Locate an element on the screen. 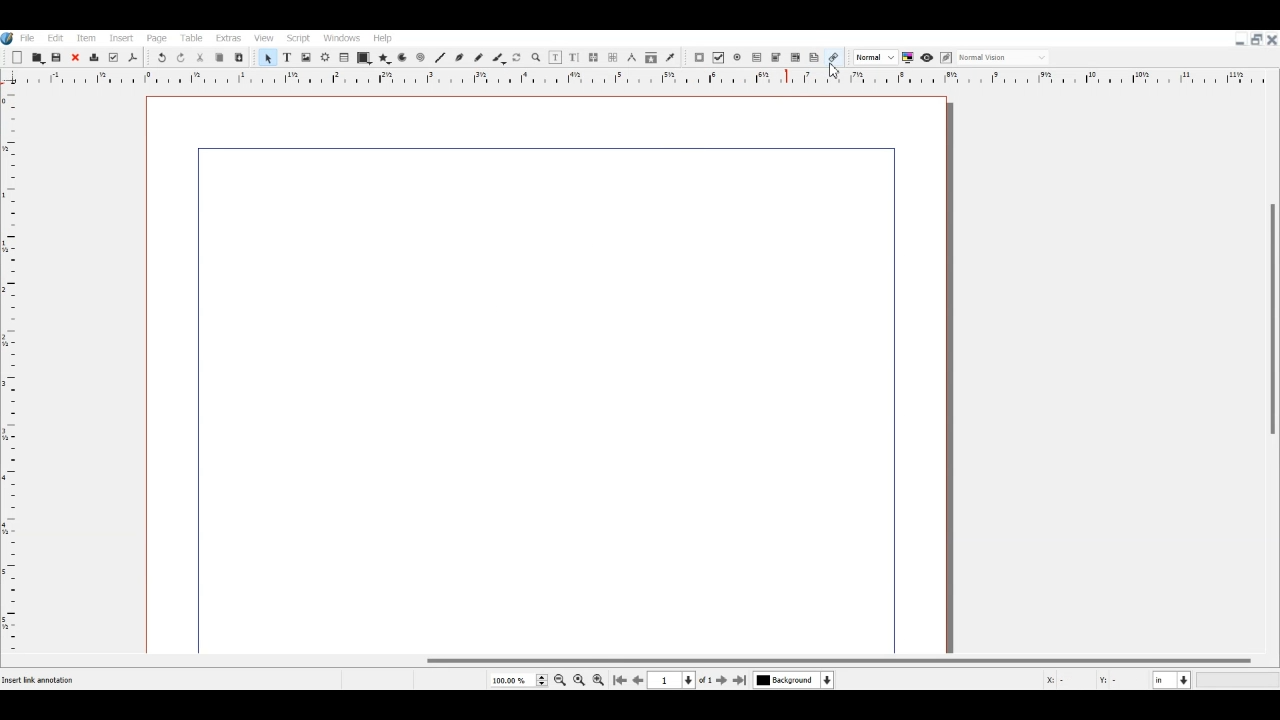  Go to next page is located at coordinates (723, 680).